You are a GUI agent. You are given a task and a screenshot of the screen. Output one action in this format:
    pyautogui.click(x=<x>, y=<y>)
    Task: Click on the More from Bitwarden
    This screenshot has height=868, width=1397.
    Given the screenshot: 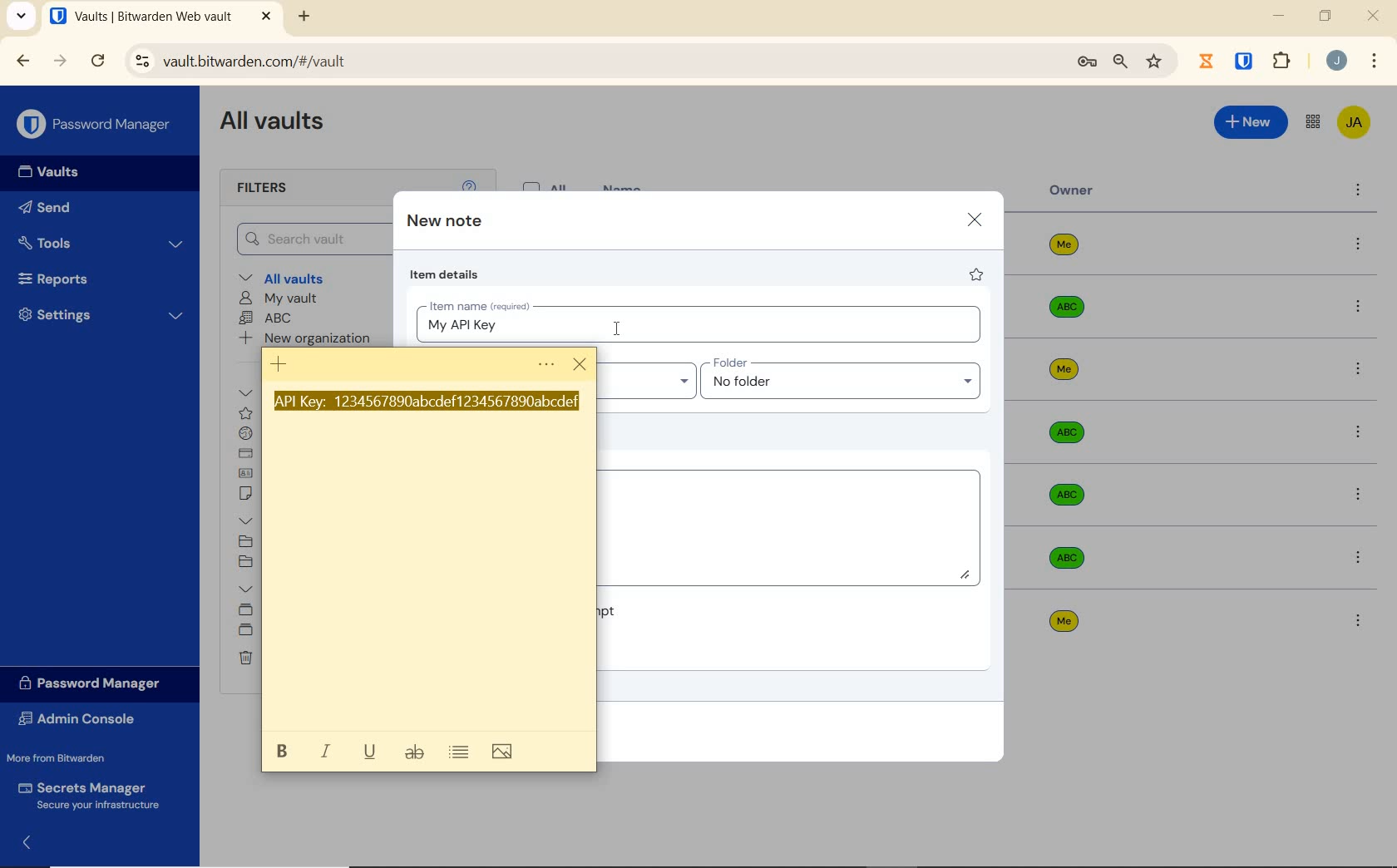 What is the action you would take?
    pyautogui.click(x=73, y=758)
    